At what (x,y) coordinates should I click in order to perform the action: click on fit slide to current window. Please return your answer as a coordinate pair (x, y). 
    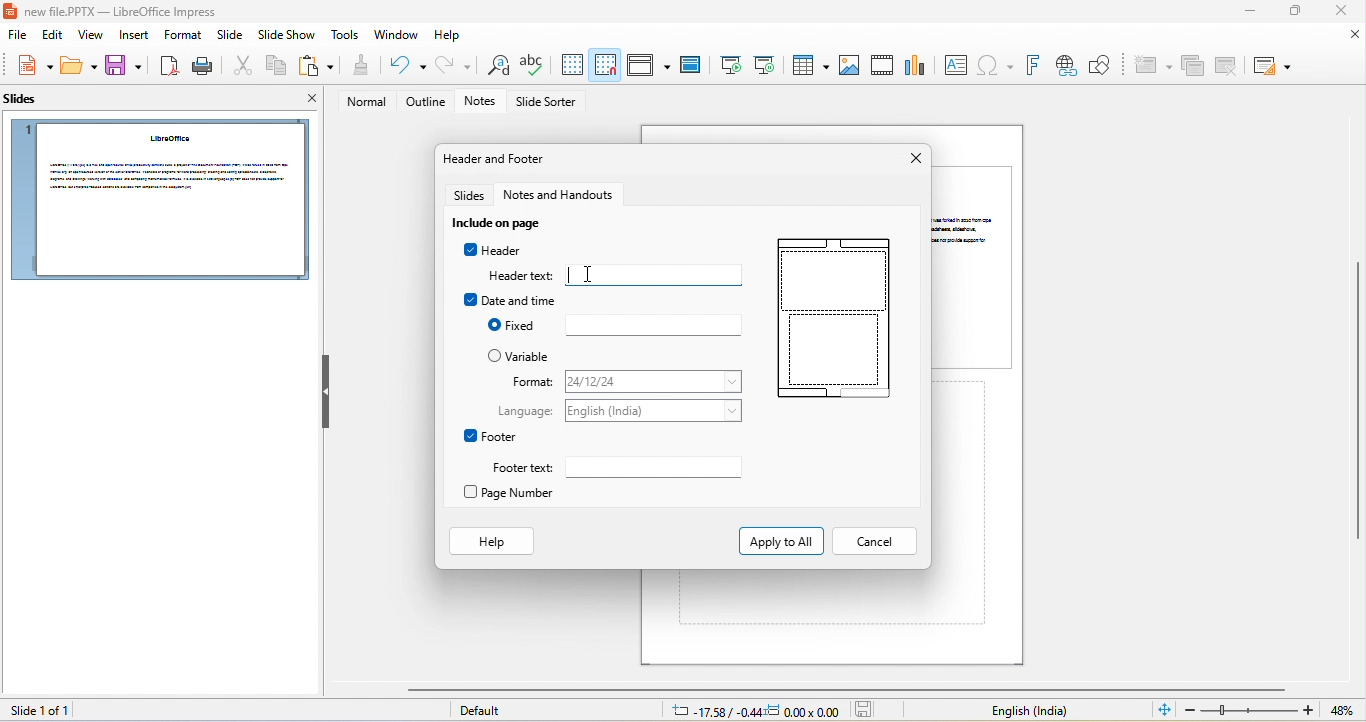
    Looking at the image, I should click on (1164, 709).